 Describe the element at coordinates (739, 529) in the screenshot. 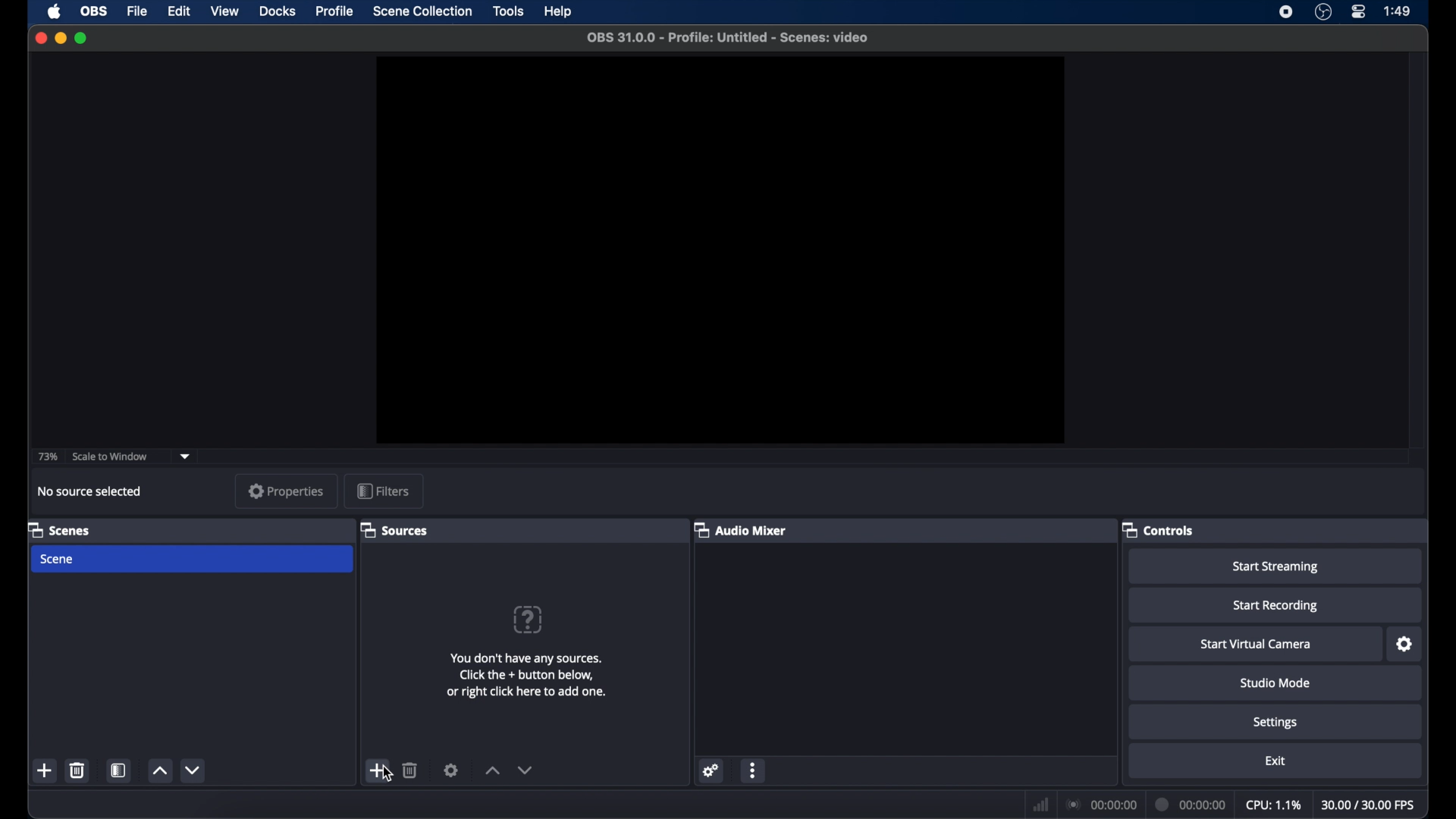

I see `audio mixer` at that location.